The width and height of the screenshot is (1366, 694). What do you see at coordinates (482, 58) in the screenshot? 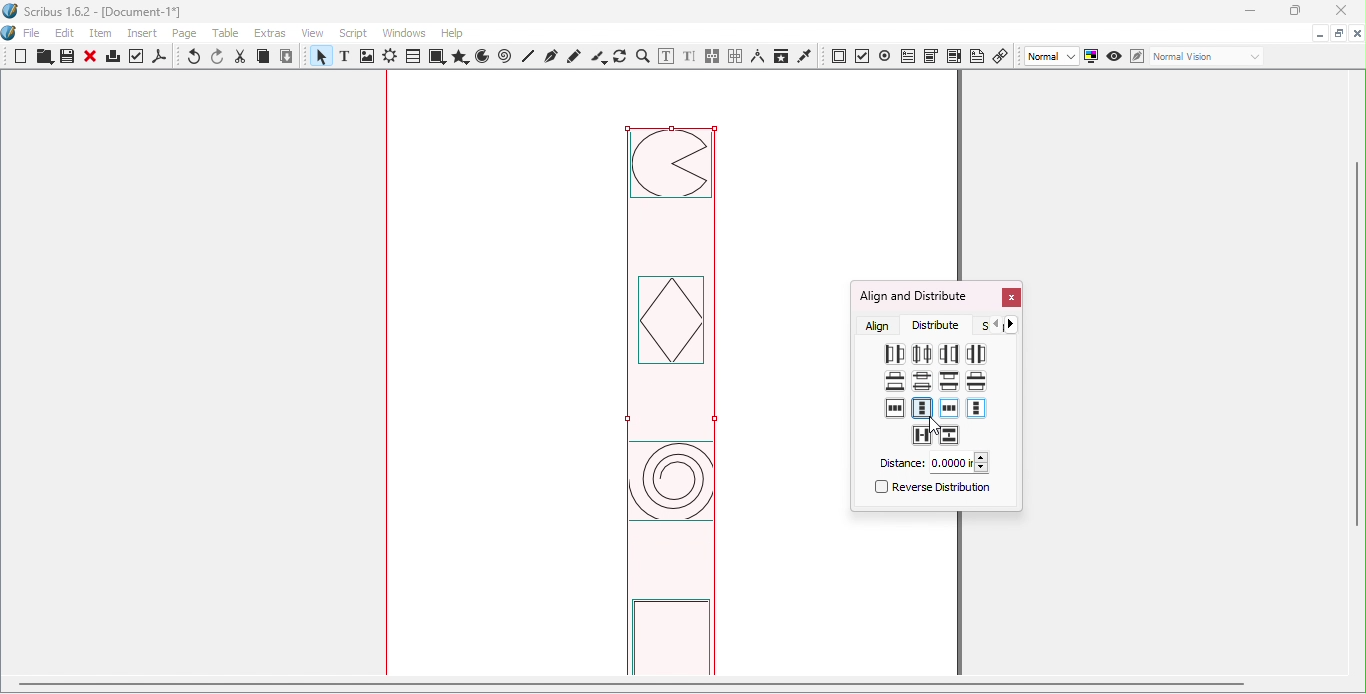
I see `Arc` at bounding box center [482, 58].